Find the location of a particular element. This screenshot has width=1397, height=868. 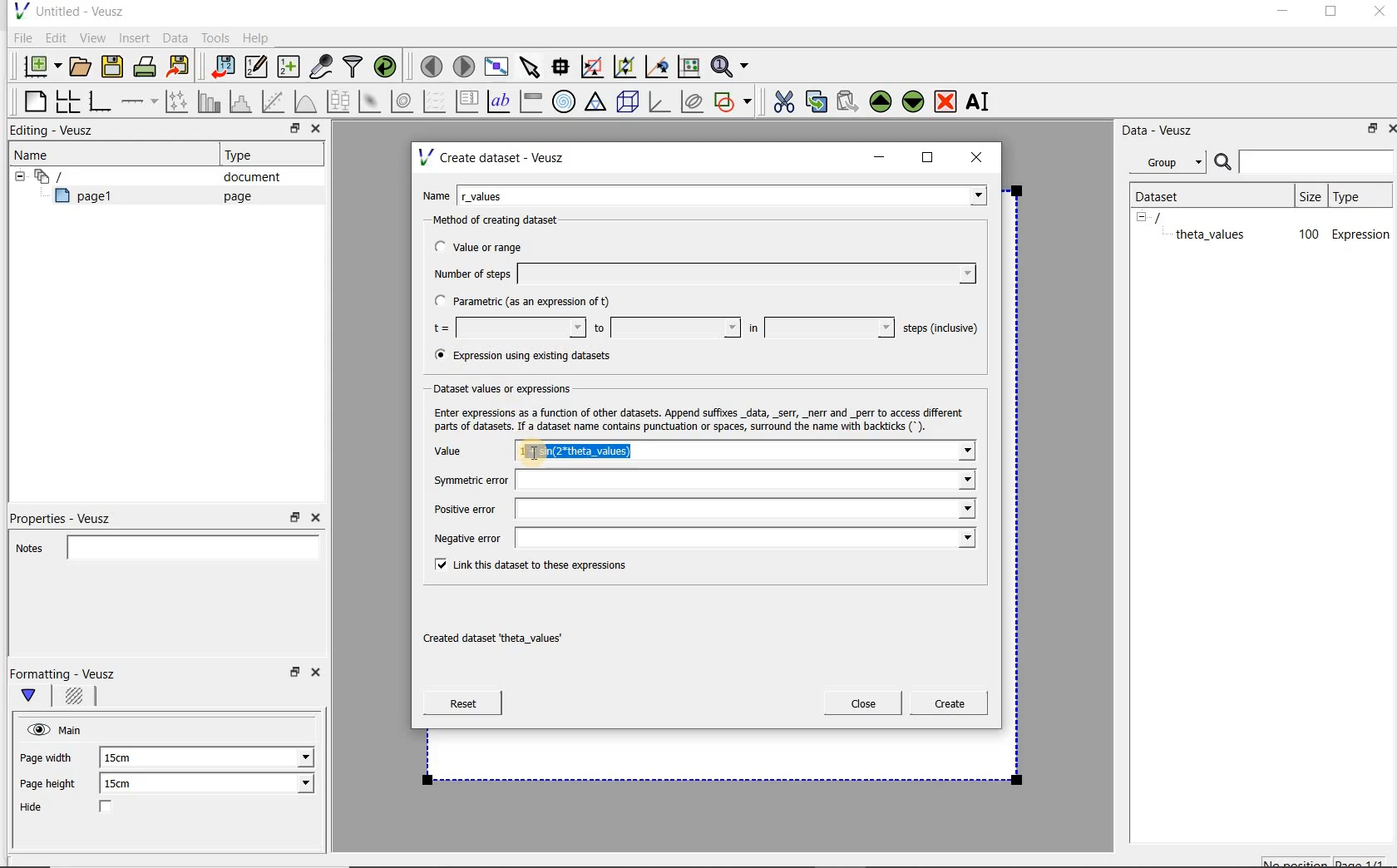

Move the selected widget down is located at coordinates (914, 101).